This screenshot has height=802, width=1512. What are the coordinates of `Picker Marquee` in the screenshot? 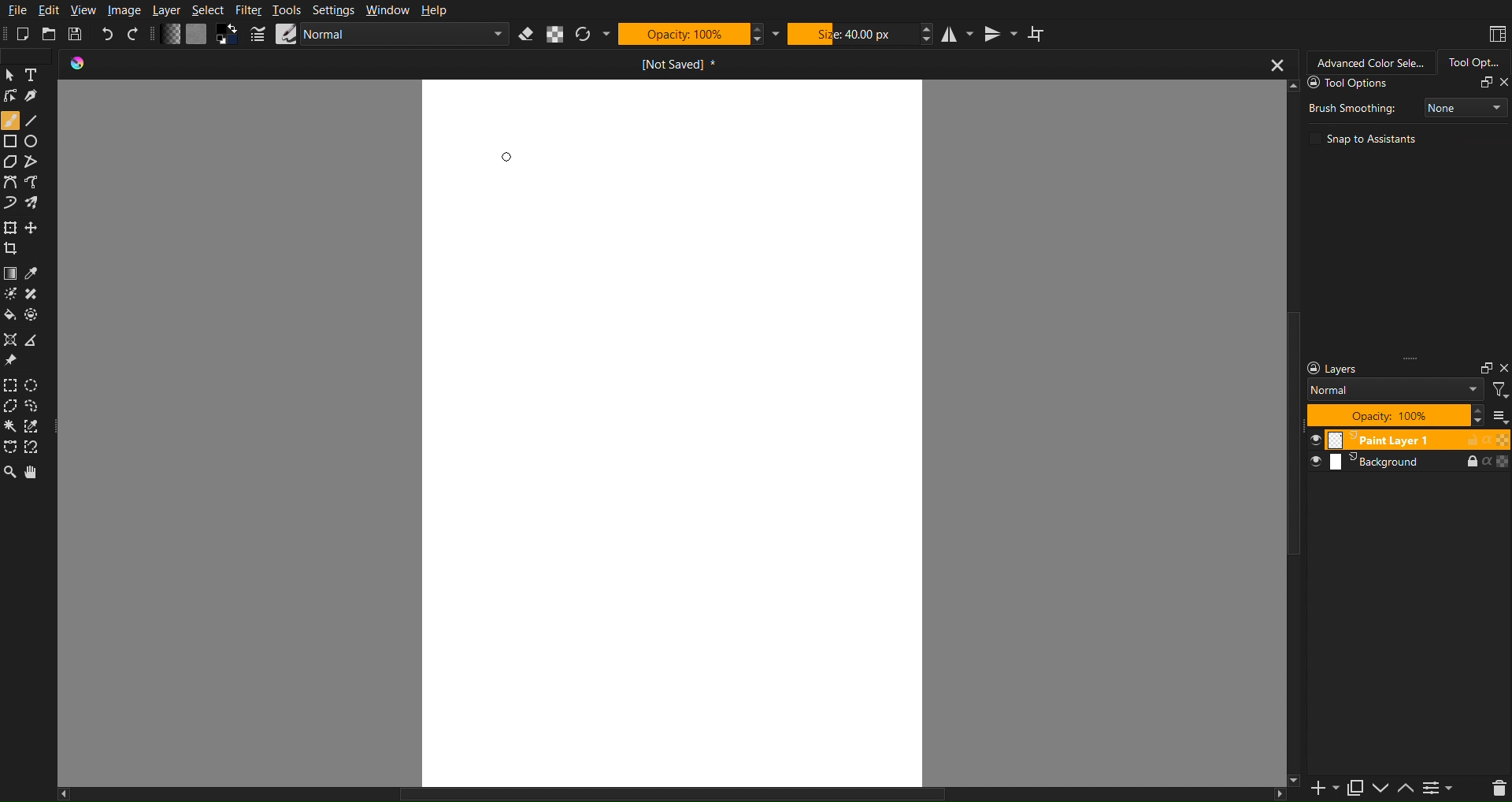 It's located at (38, 427).